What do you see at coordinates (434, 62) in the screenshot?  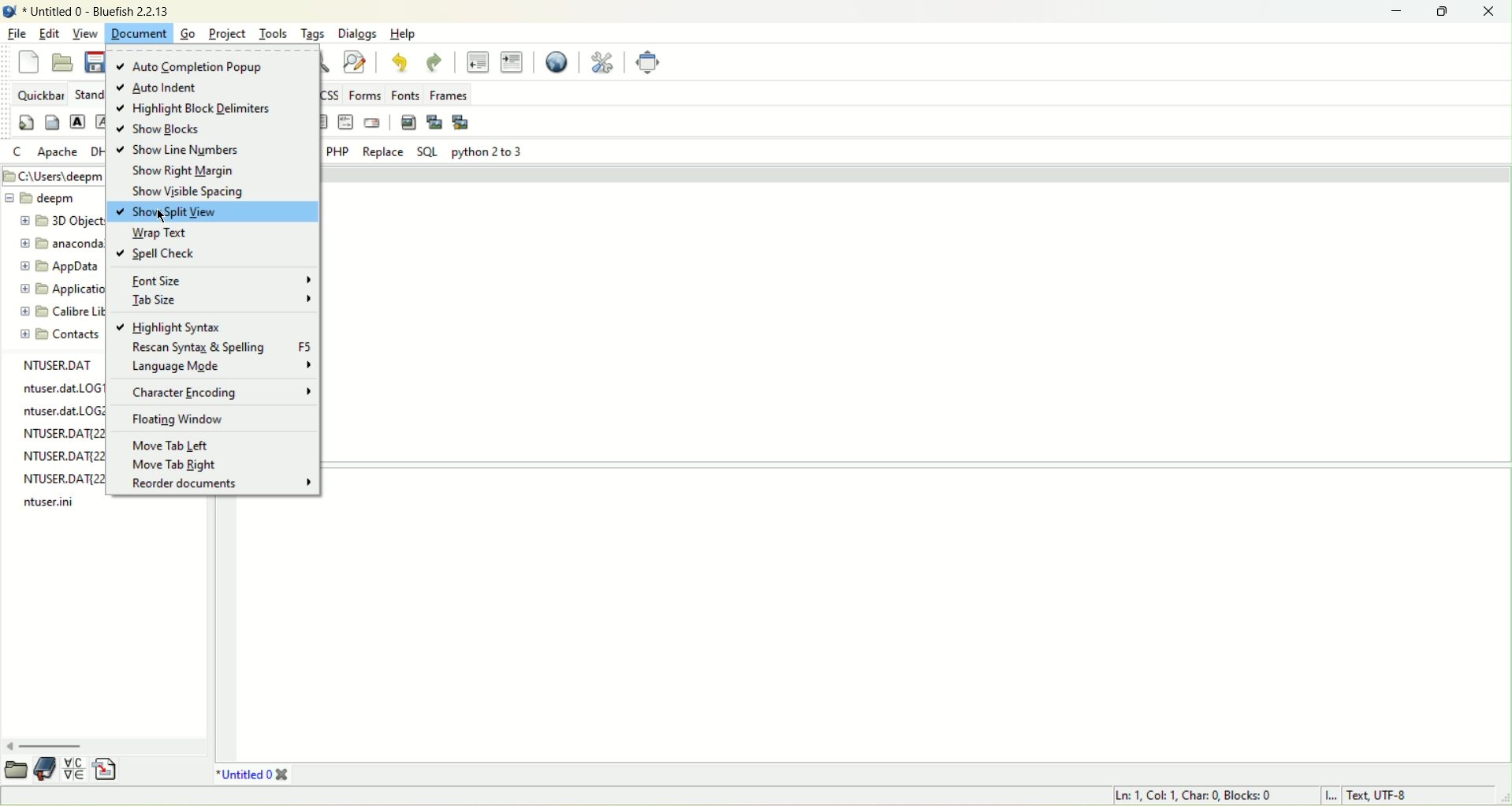 I see `redo` at bounding box center [434, 62].